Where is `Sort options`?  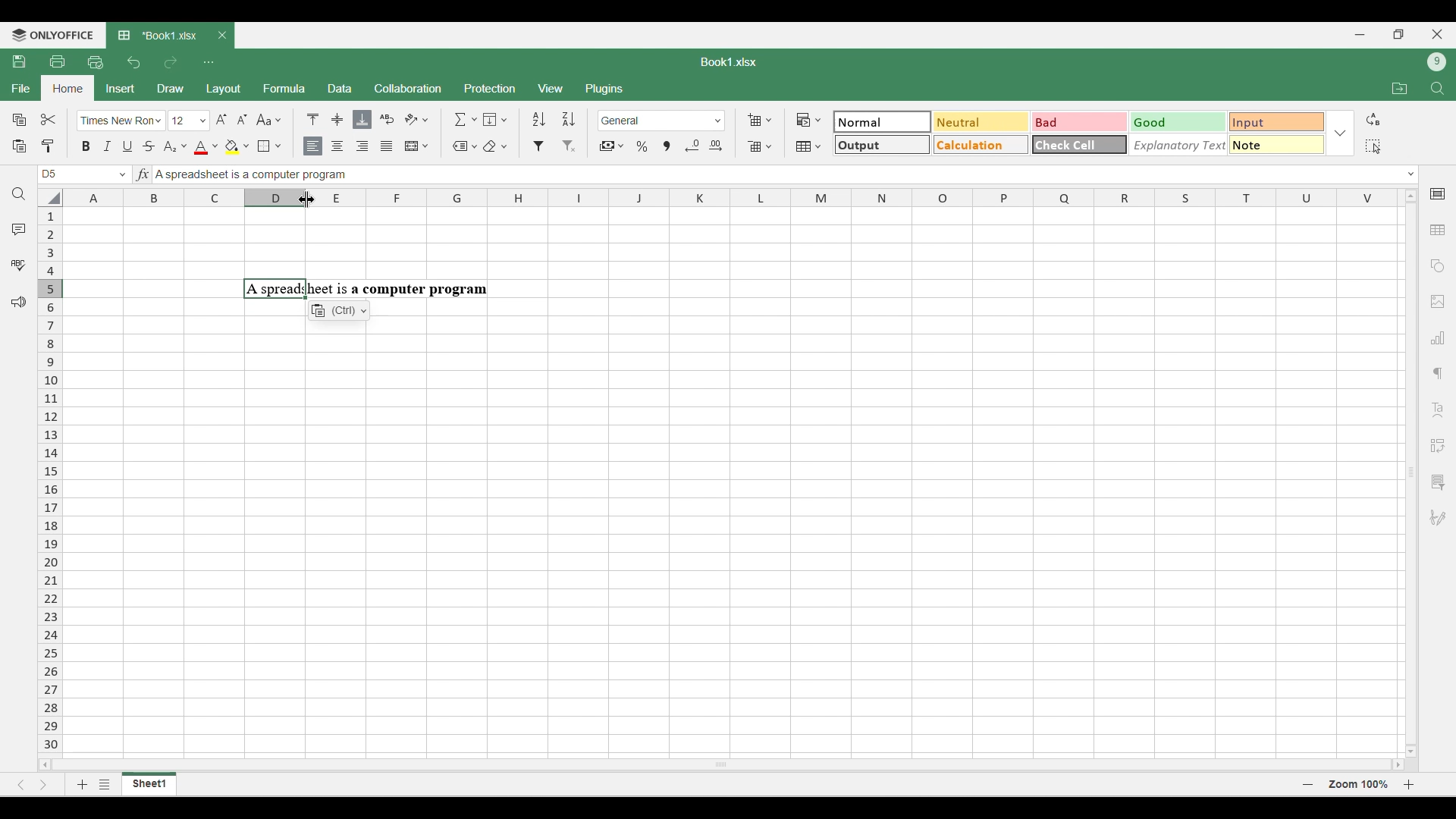 Sort options is located at coordinates (554, 119).